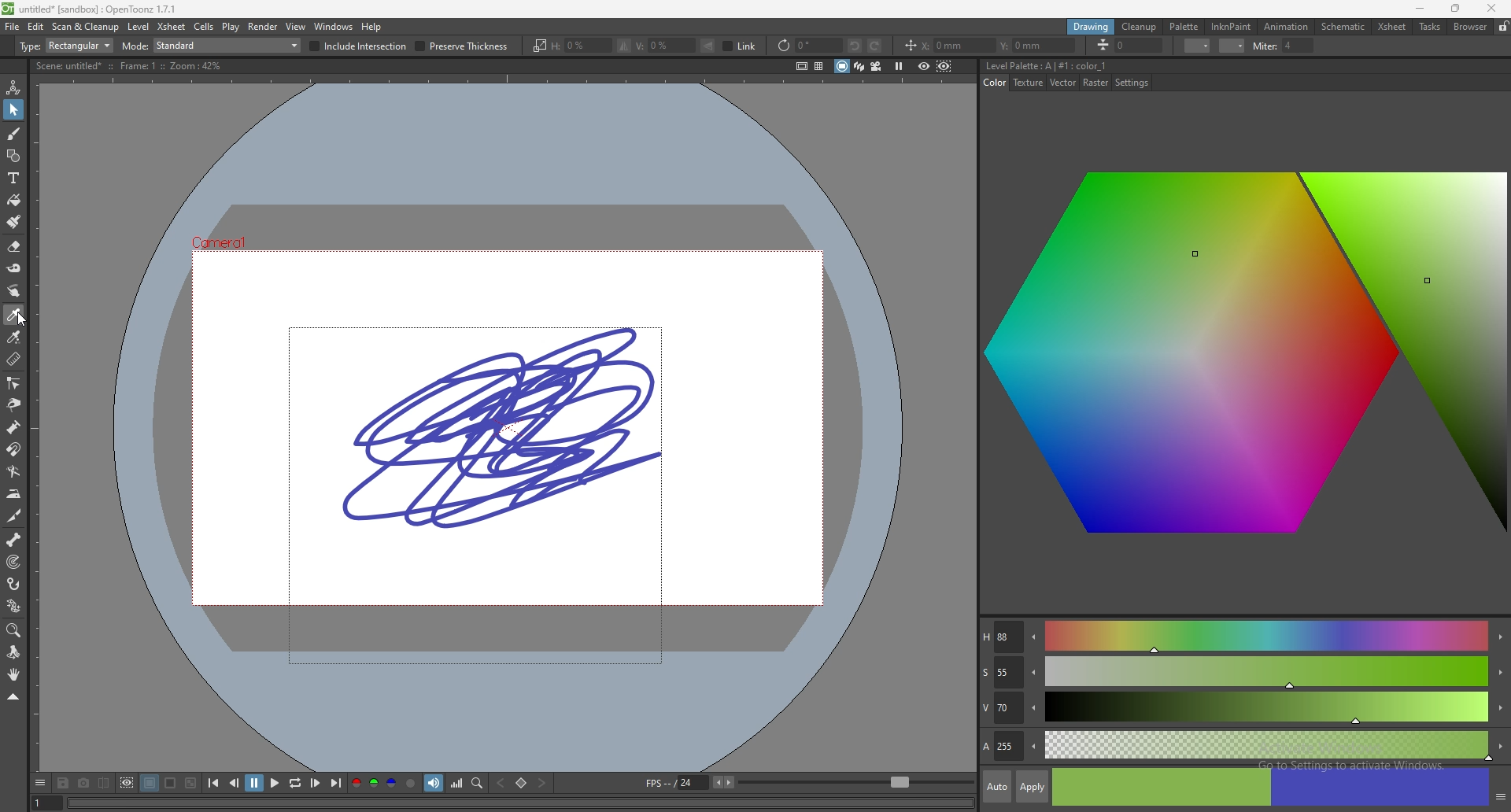 The width and height of the screenshot is (1511, 812). Describe the element at coordinates (1284, 45) in the screenshot. I see `miter` at that location.